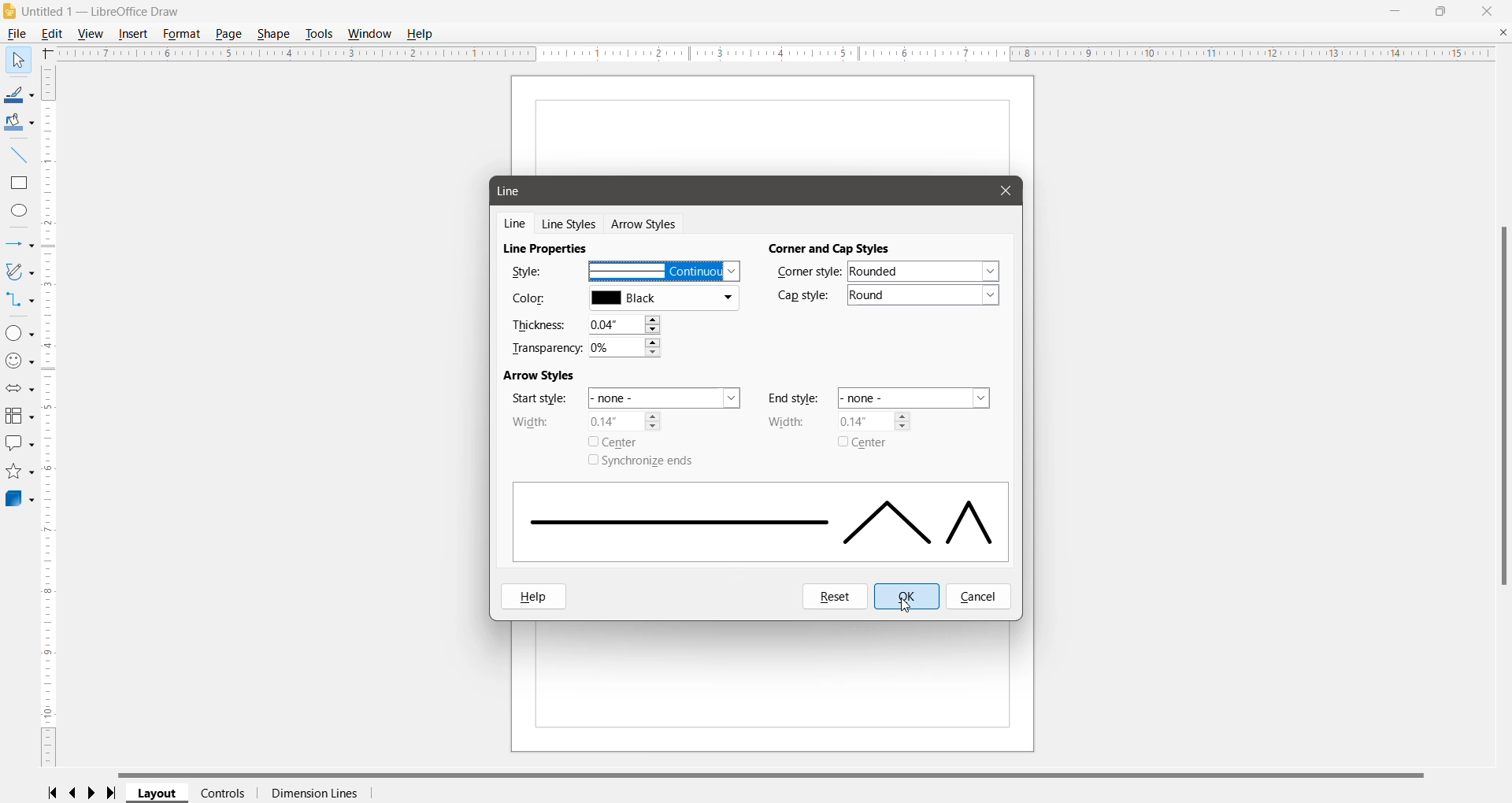 The image size is (1512, 803). I want to click on Set the required transparency, so click(626, 348).